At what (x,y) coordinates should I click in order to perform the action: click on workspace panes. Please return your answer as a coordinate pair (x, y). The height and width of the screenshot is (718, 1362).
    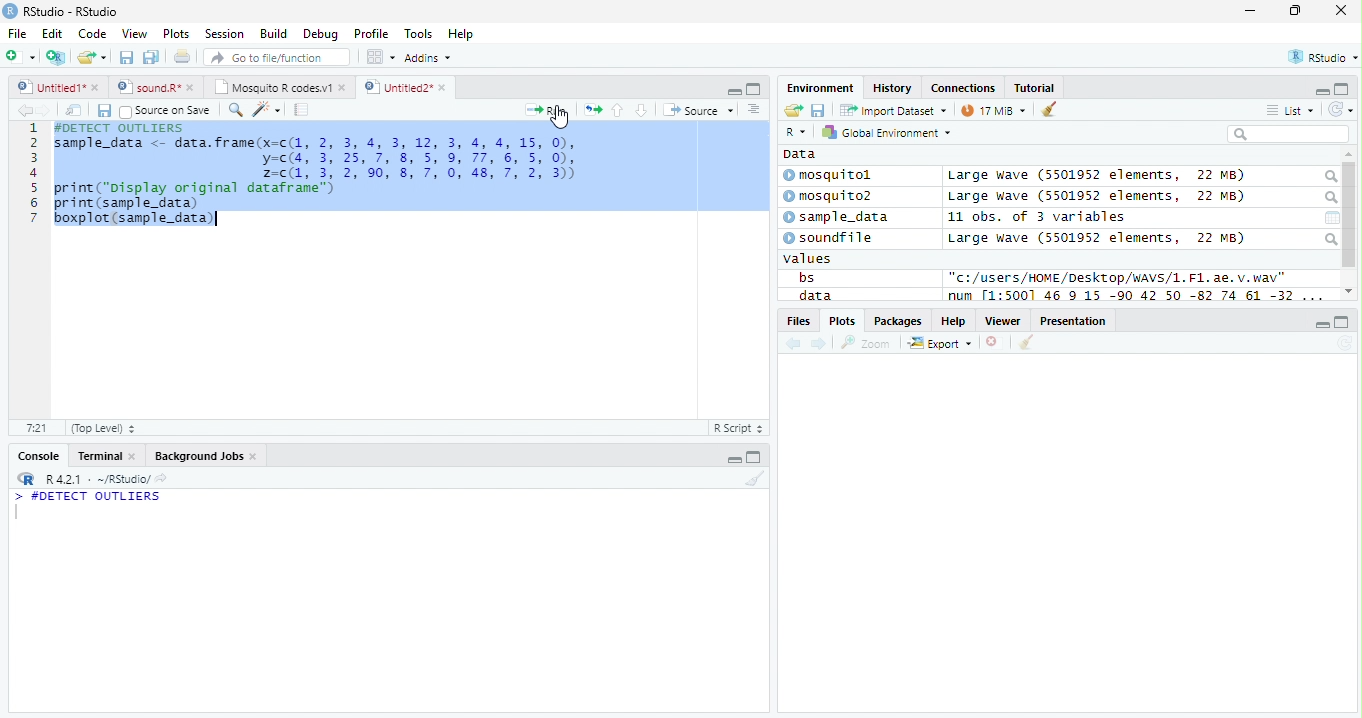
    Looking at the image, I should click on (382, 57).